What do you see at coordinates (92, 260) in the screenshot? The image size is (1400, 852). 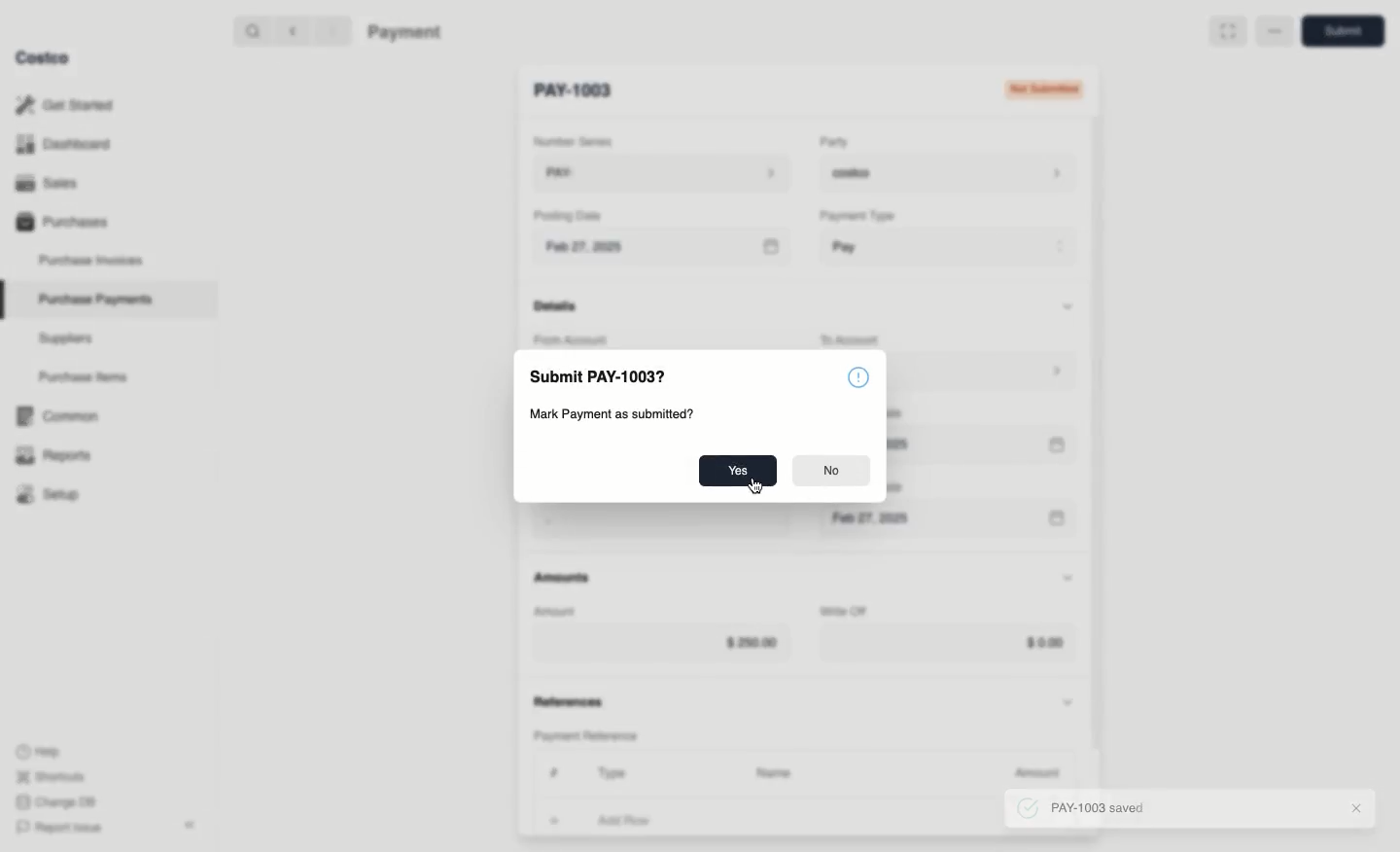 I see `Purchase Invoices` at bounding box center [92, 260].